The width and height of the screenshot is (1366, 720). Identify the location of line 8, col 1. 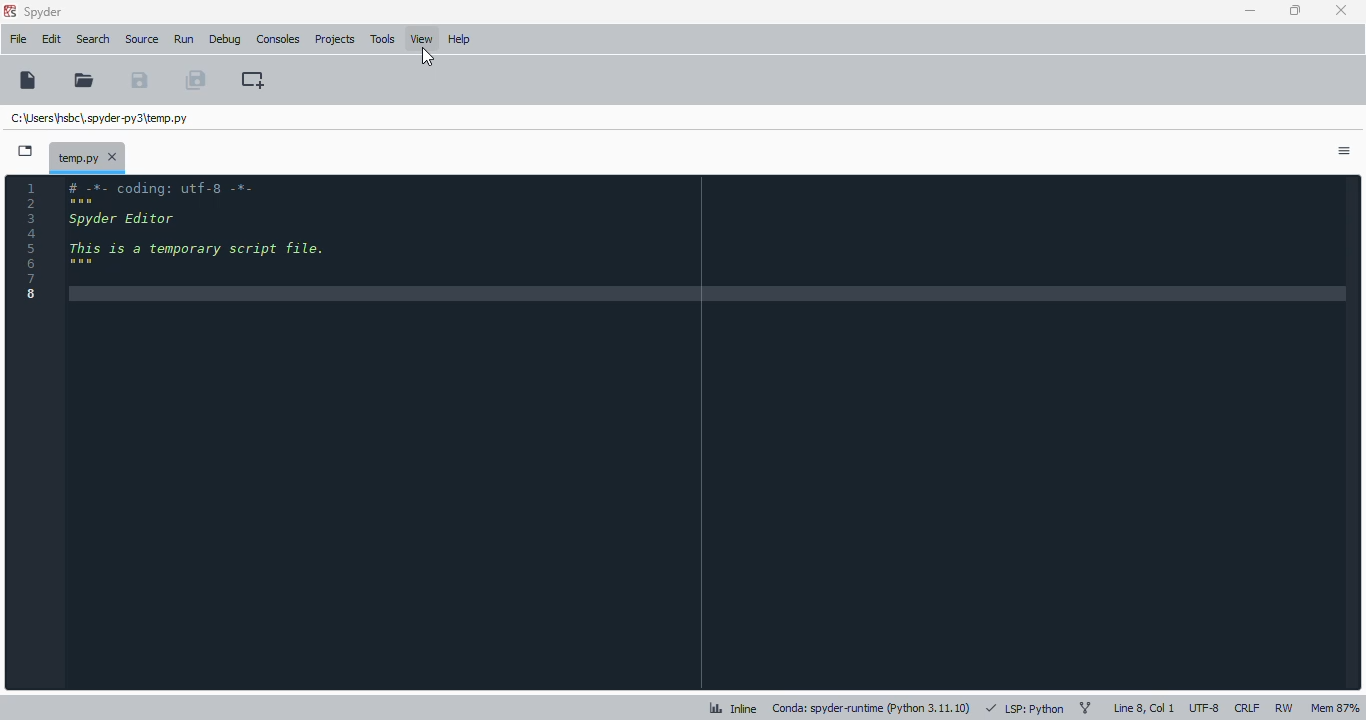
(1144, 708).